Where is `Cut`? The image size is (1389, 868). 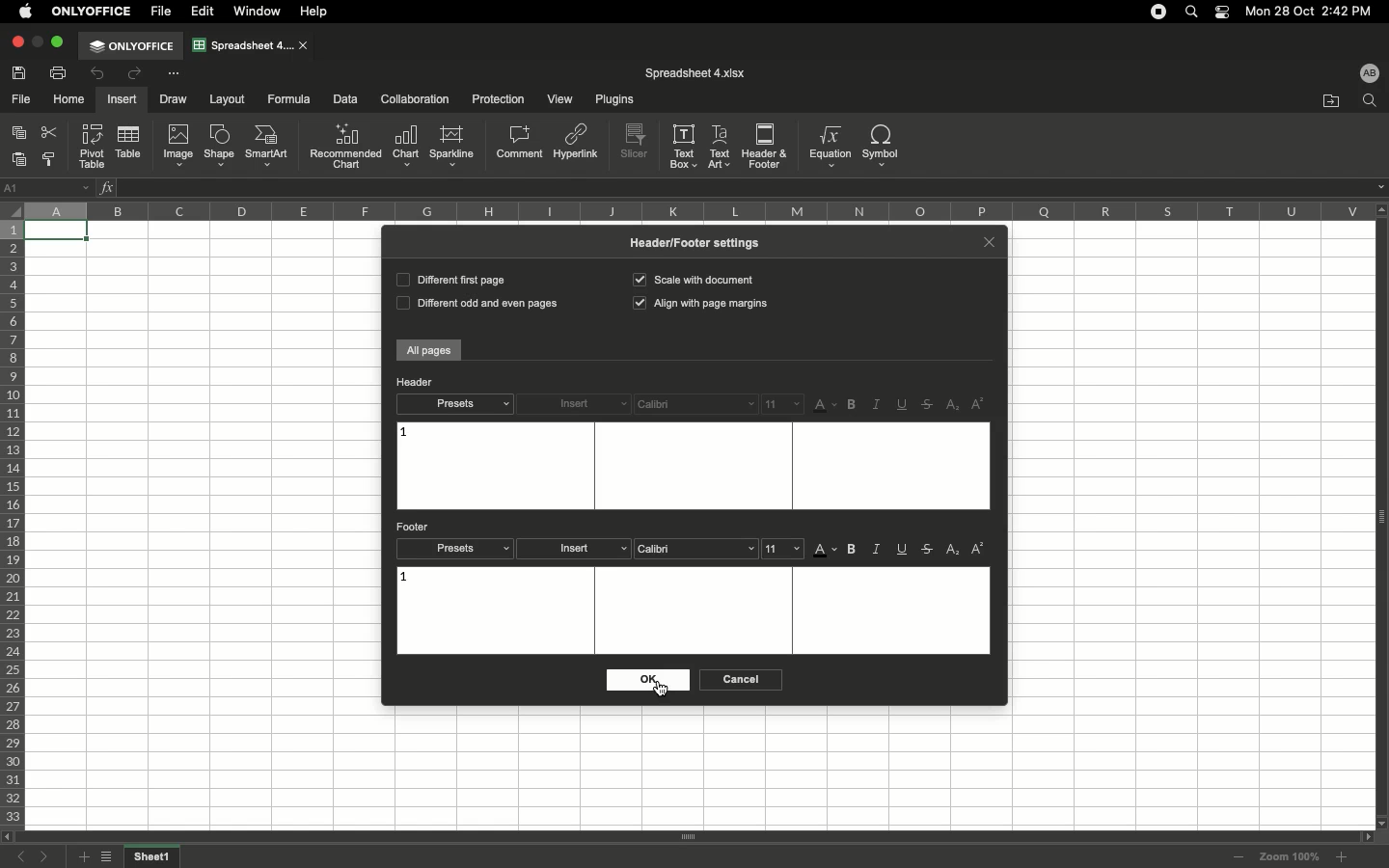
Cut is located at coordinates (51, 132).